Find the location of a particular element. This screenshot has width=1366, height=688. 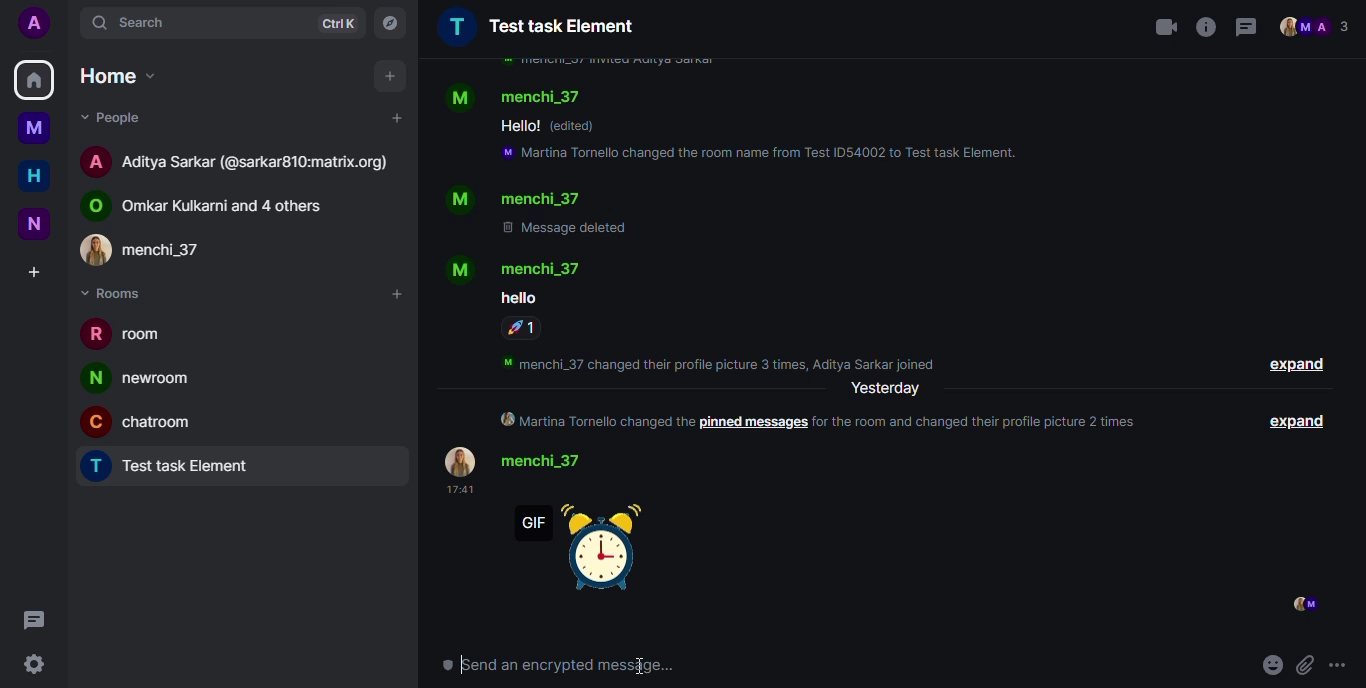

send an encrypted message is located at coordinates (563, 669).